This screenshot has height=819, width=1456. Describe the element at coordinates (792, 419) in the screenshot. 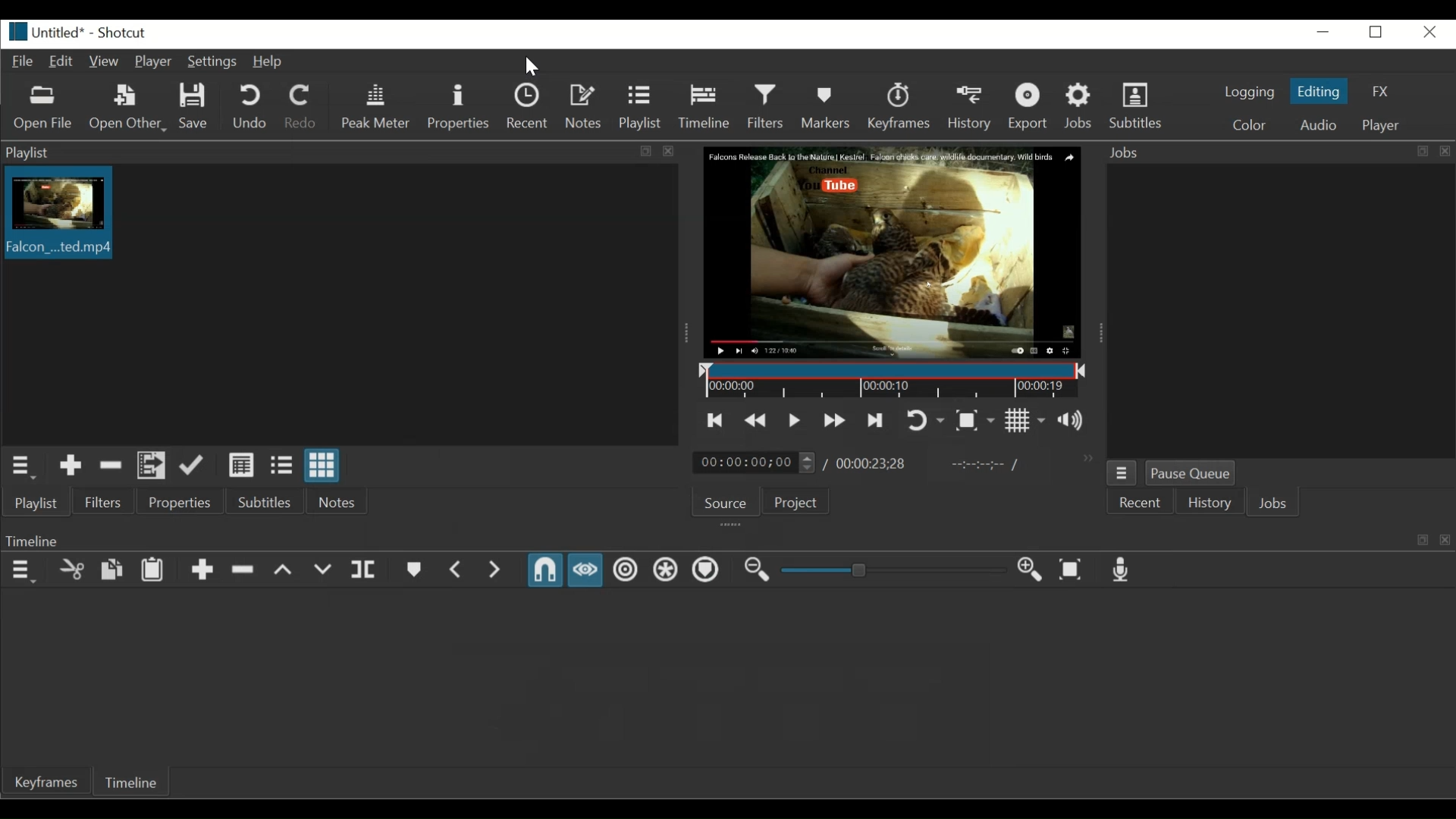

I see `Toggle play or pause` at that location.